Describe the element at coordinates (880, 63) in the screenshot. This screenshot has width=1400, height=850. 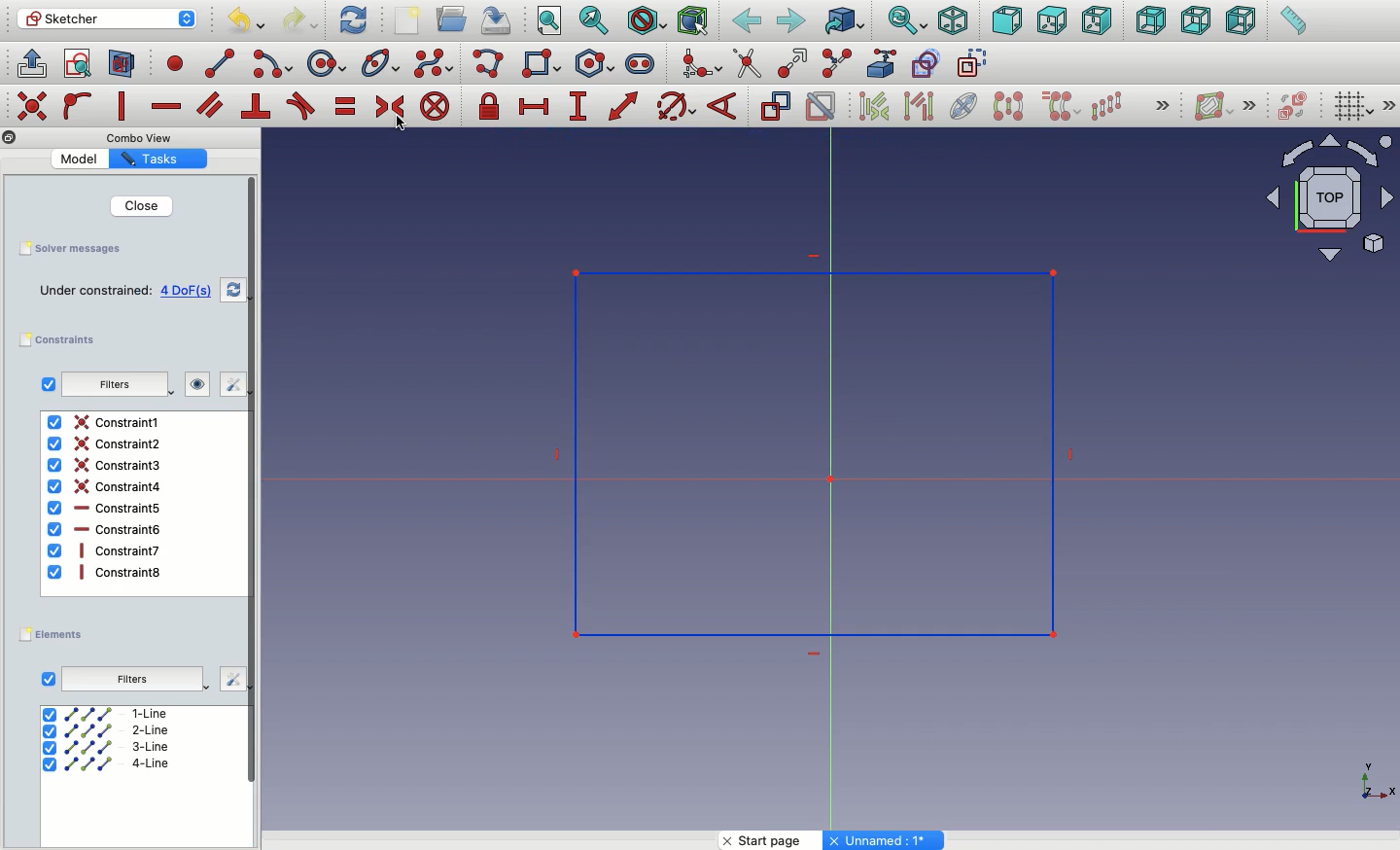
I see `External geometry` at that location.